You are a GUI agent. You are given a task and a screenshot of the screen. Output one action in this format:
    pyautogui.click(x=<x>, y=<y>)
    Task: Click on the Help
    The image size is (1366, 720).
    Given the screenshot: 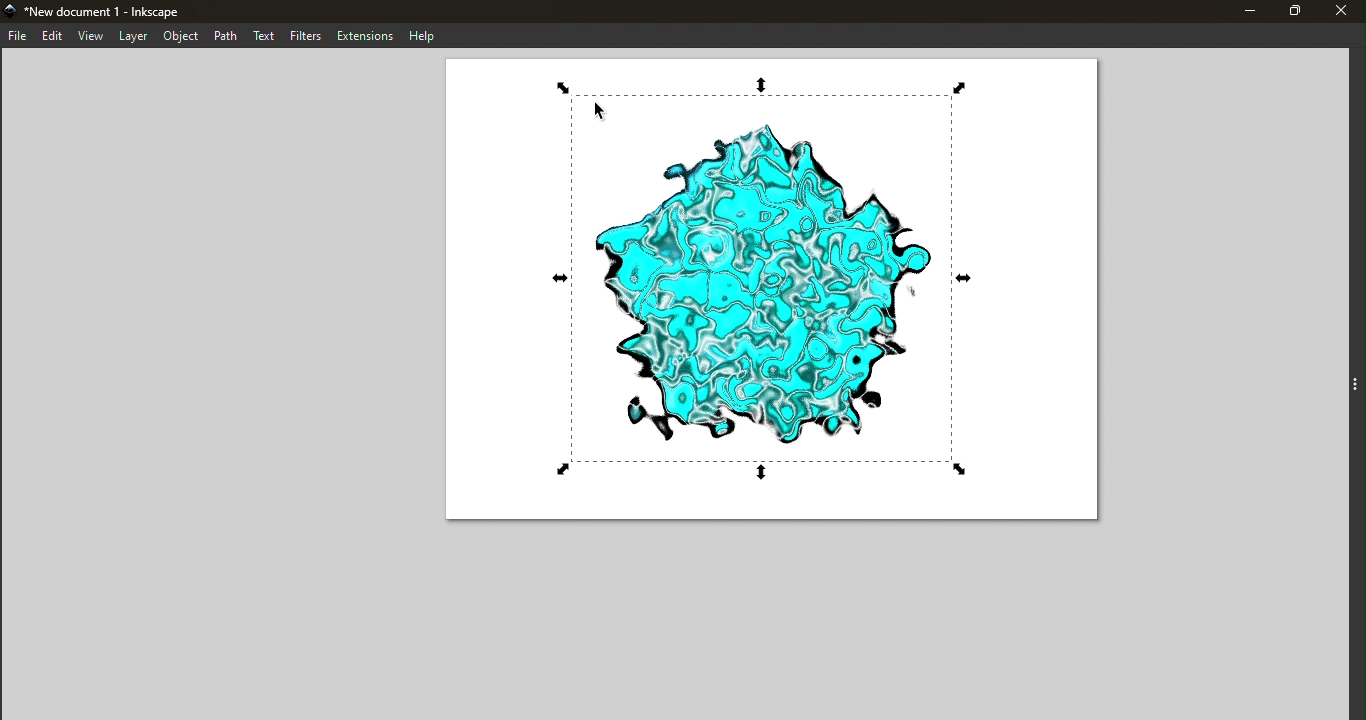 What is the action you would take?
    pyautogui.click(x=421, y=34)
    